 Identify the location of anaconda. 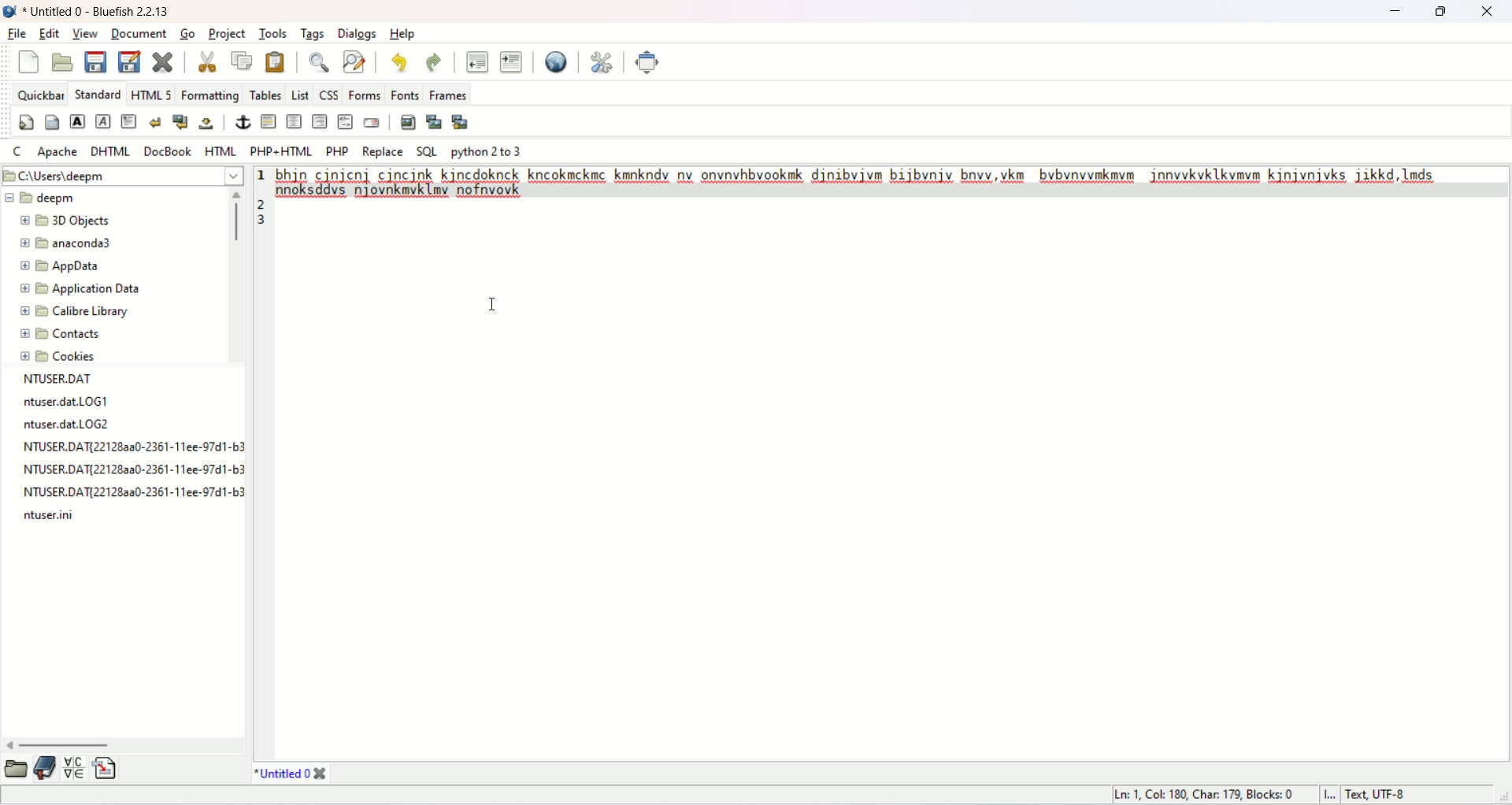
(76, 247).